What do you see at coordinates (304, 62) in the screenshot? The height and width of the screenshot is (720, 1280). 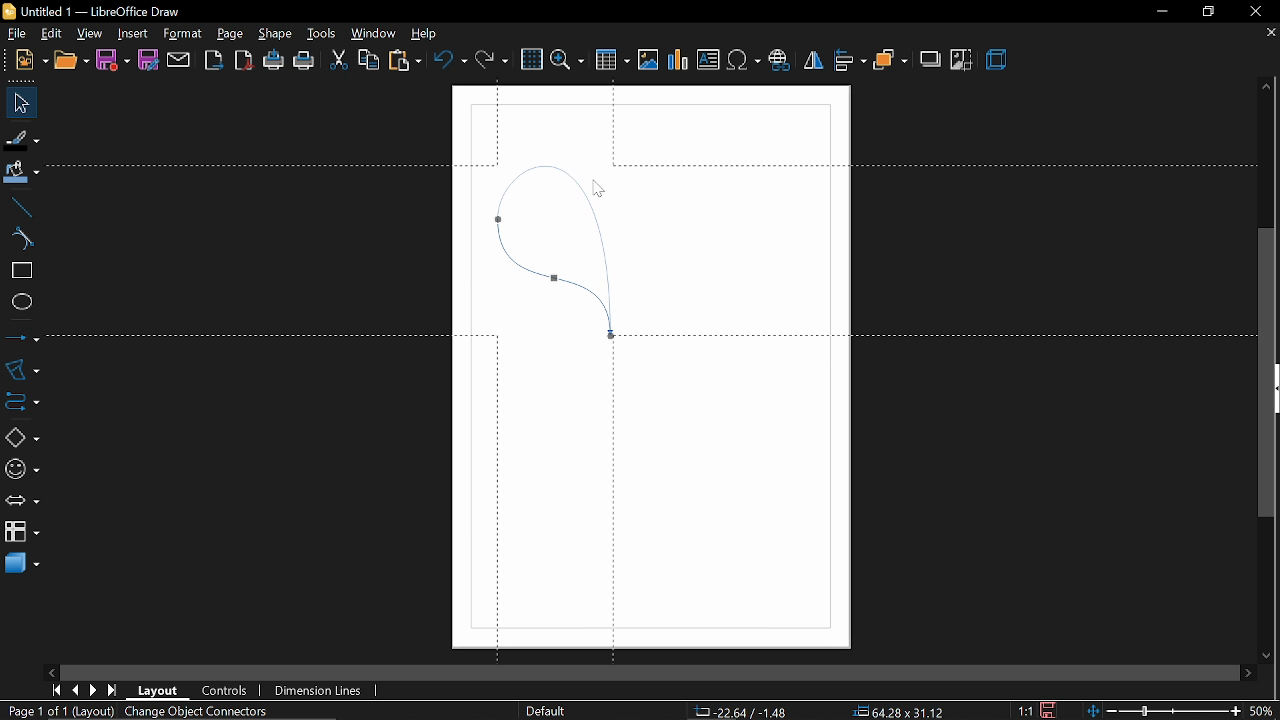 I see `print` at bounding box center [304, 62].